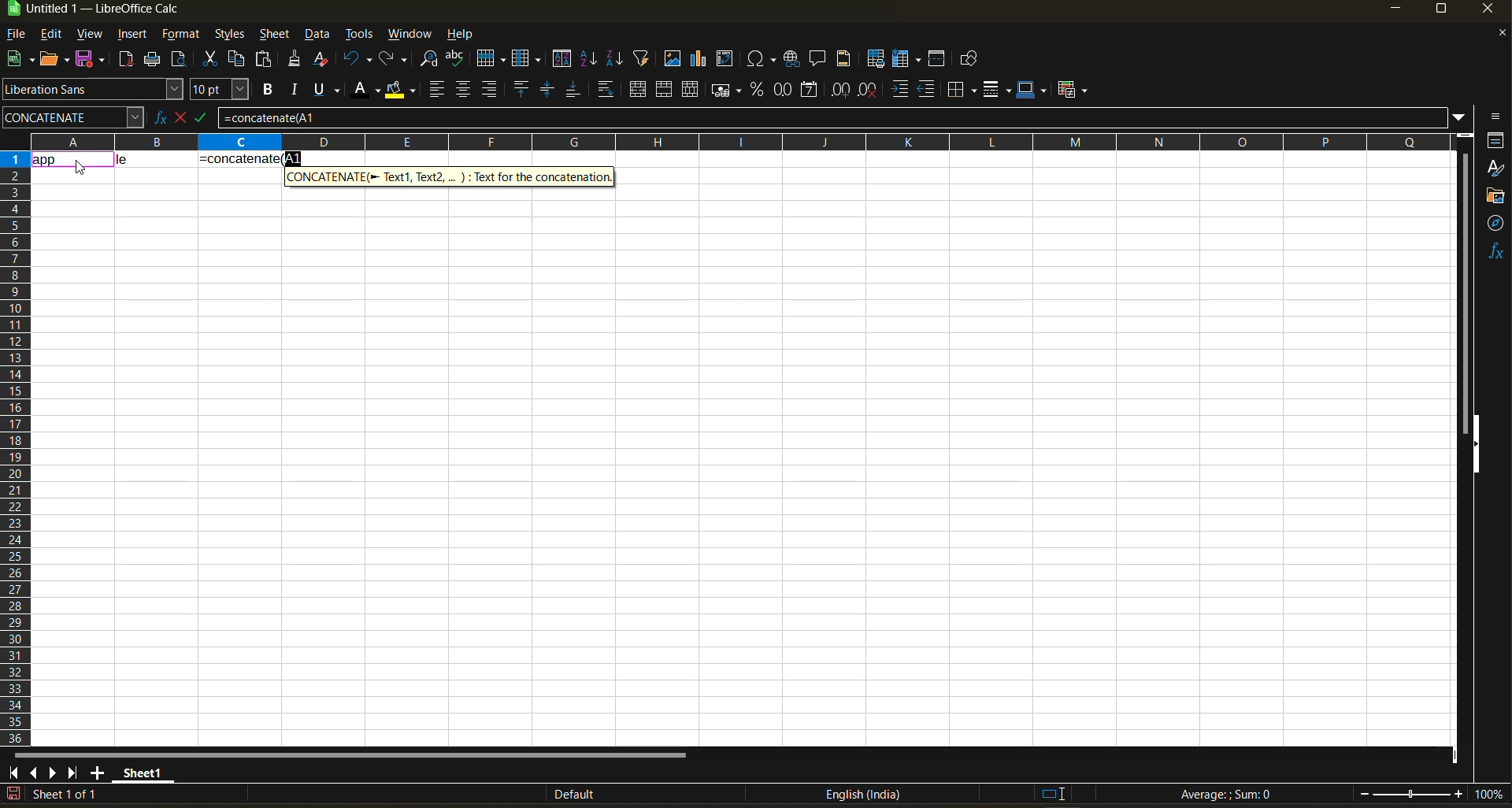  I want to click on border style, so click(996, 90).